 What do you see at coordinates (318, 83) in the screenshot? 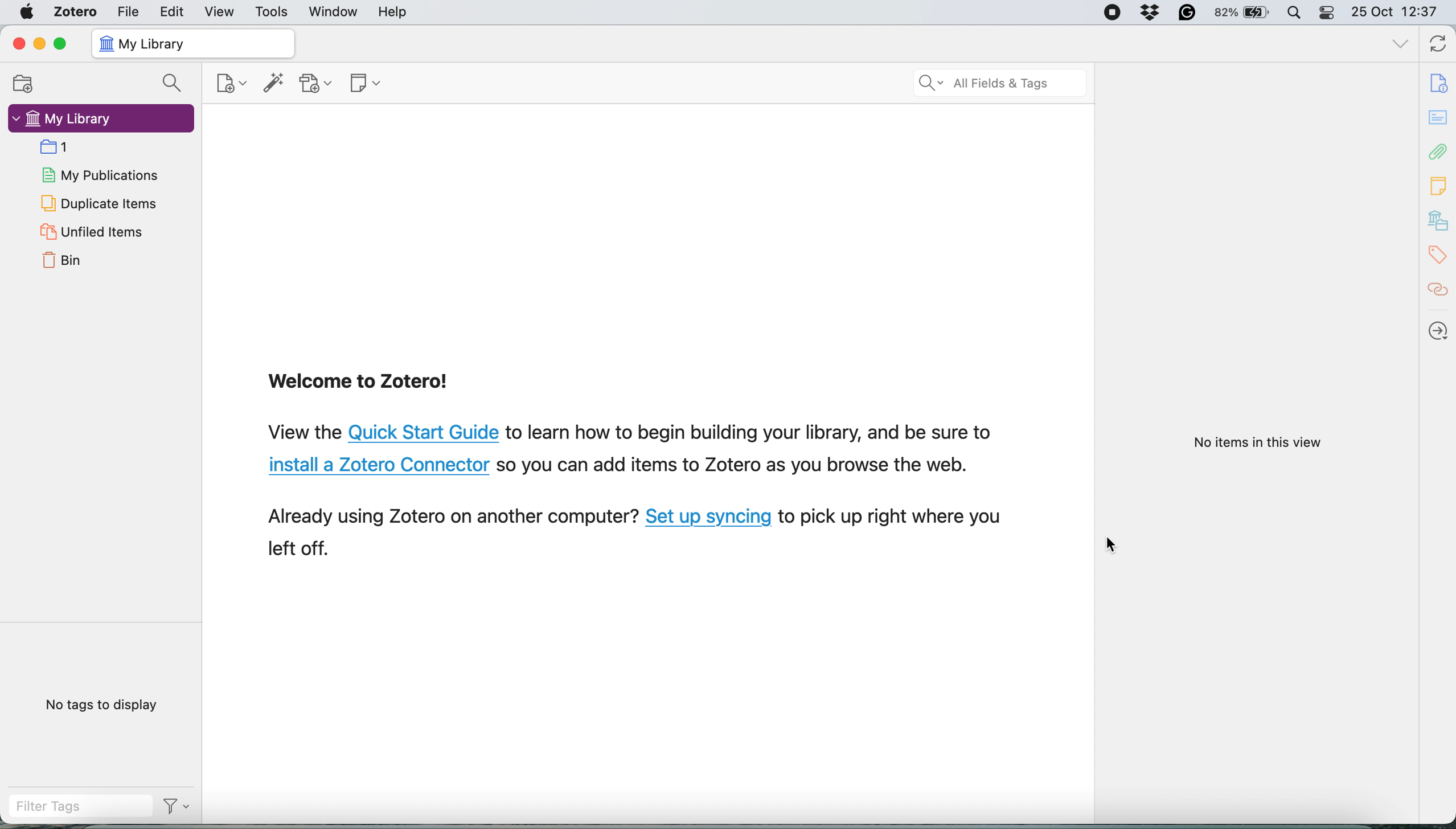
I see `add attachment` at bounding box center [318, 83].